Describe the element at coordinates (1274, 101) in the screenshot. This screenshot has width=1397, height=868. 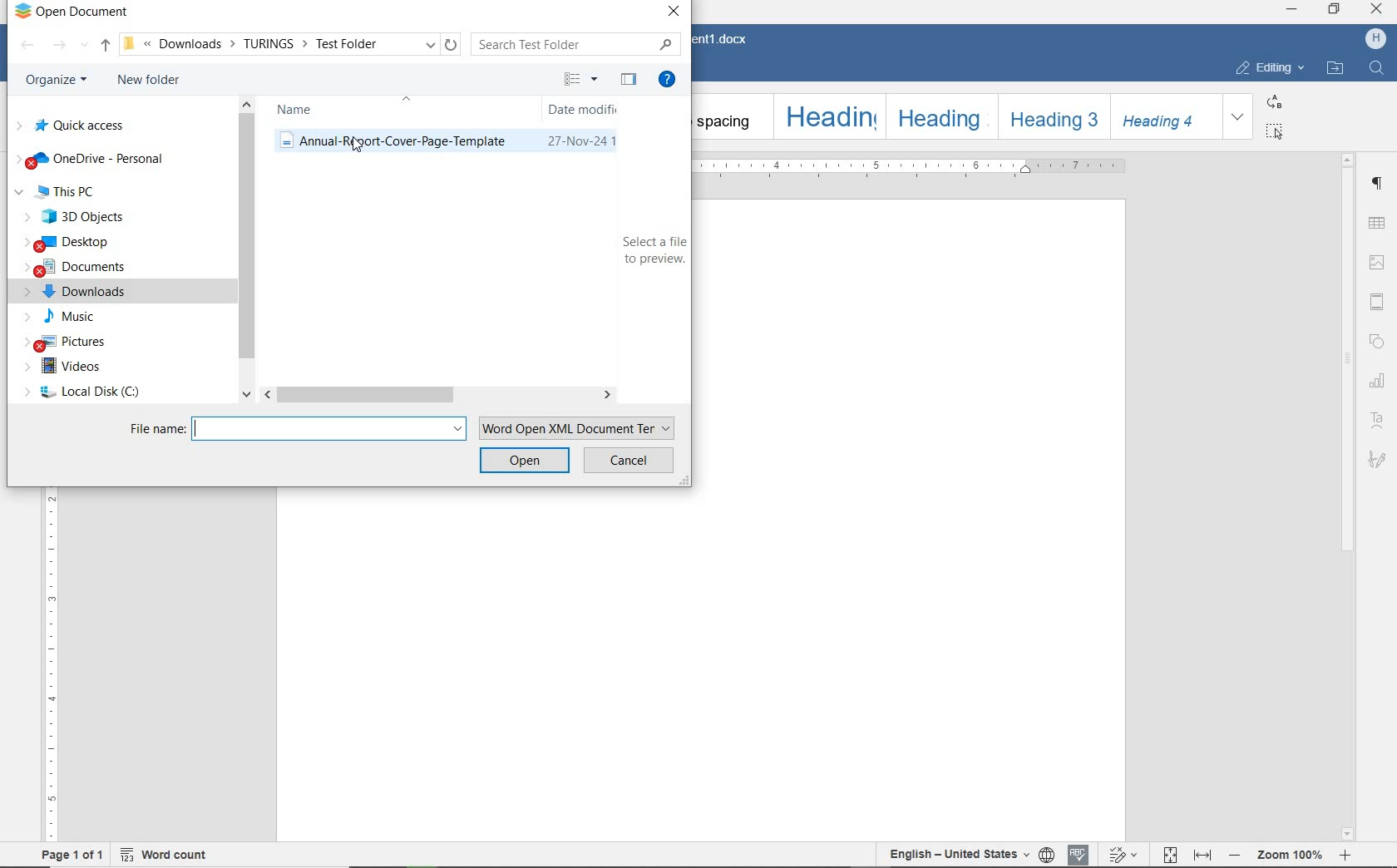
I see `replace` at that location.